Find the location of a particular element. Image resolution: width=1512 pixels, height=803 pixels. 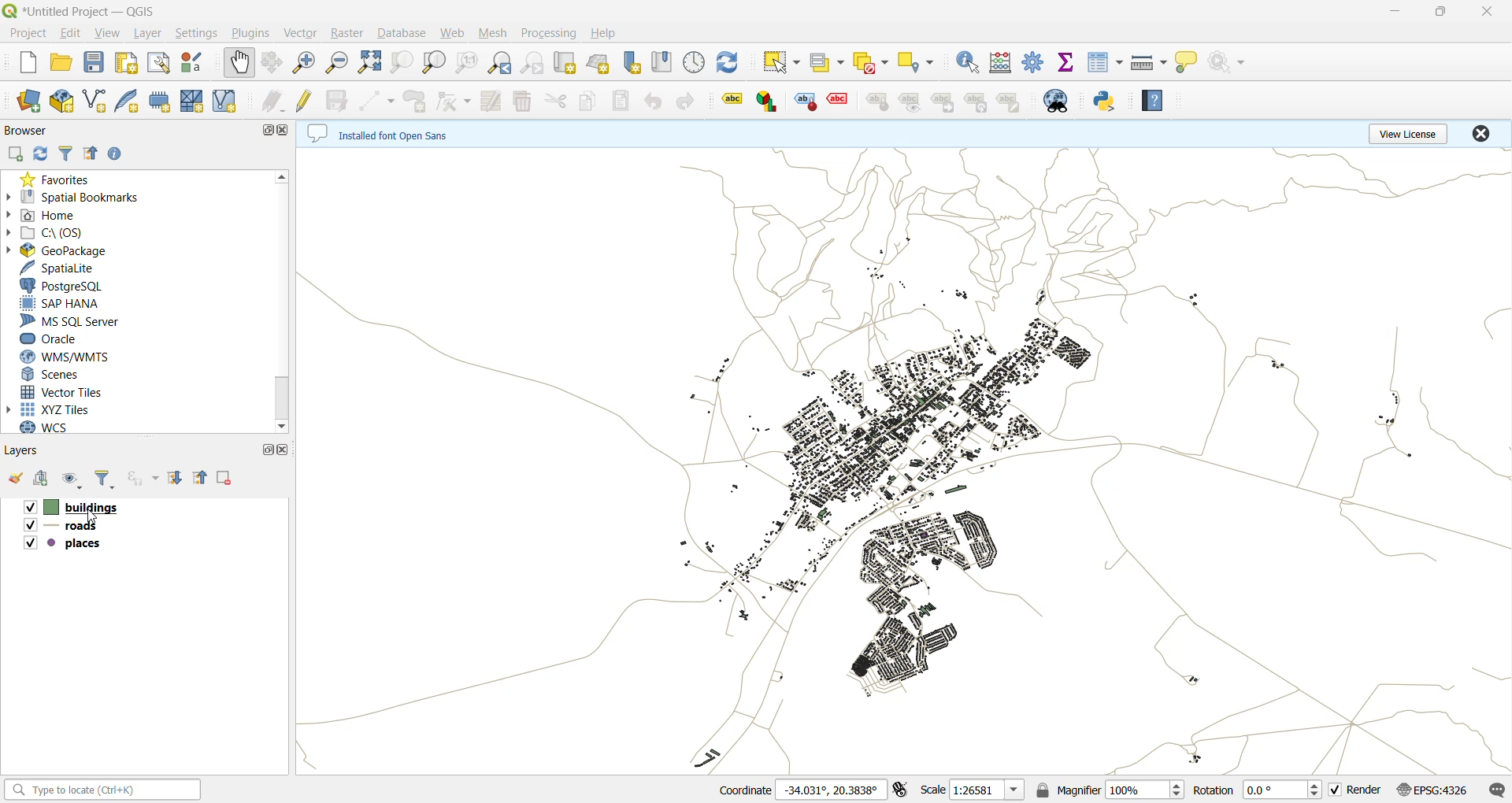

print layout is located at coordinates (128, 63).